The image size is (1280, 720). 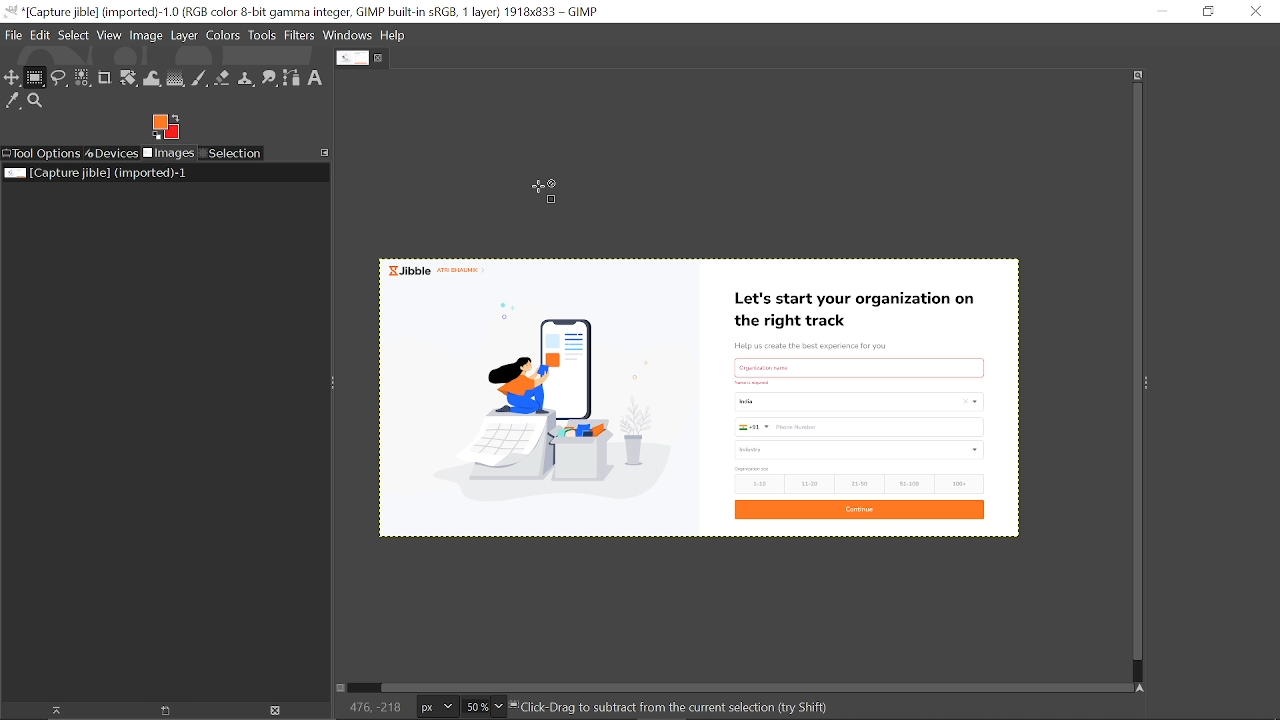 I want to click on Edit, so click(x=40, y=34).